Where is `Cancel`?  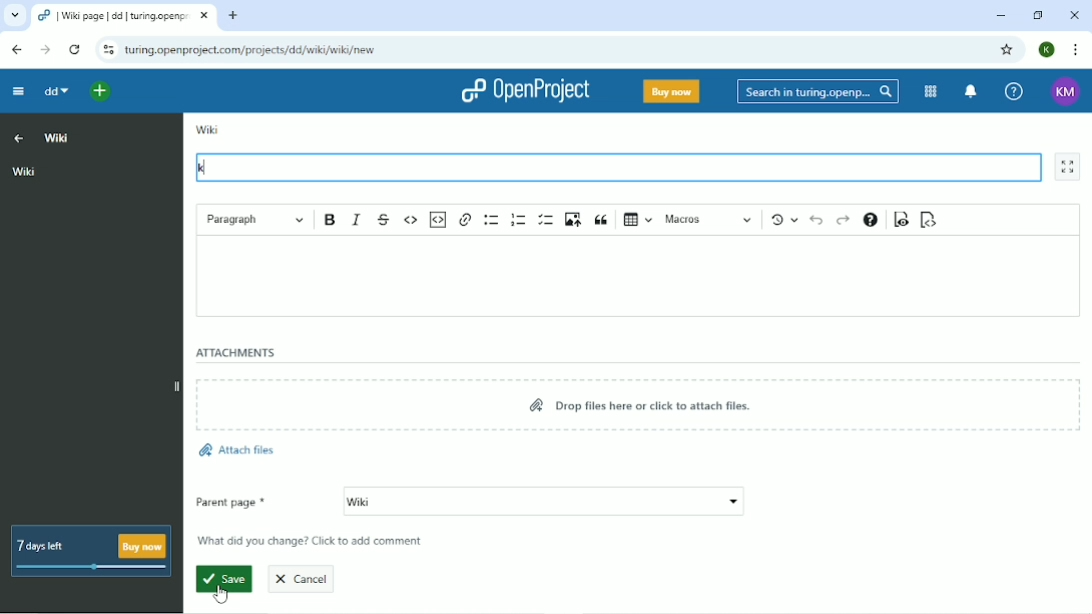
Cancel is located at coordinates (299, 579).